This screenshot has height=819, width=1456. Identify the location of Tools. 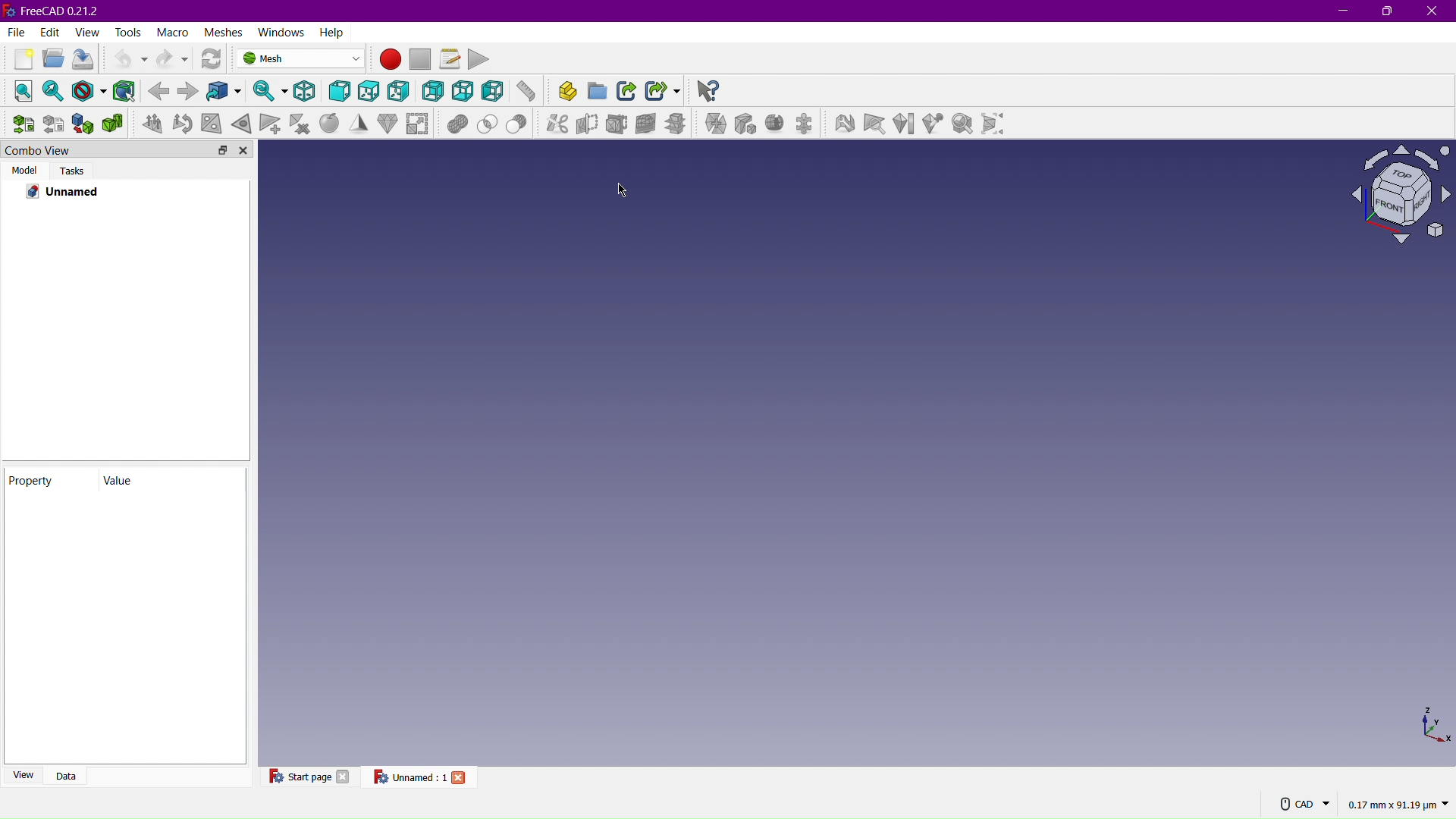
(130, 32).